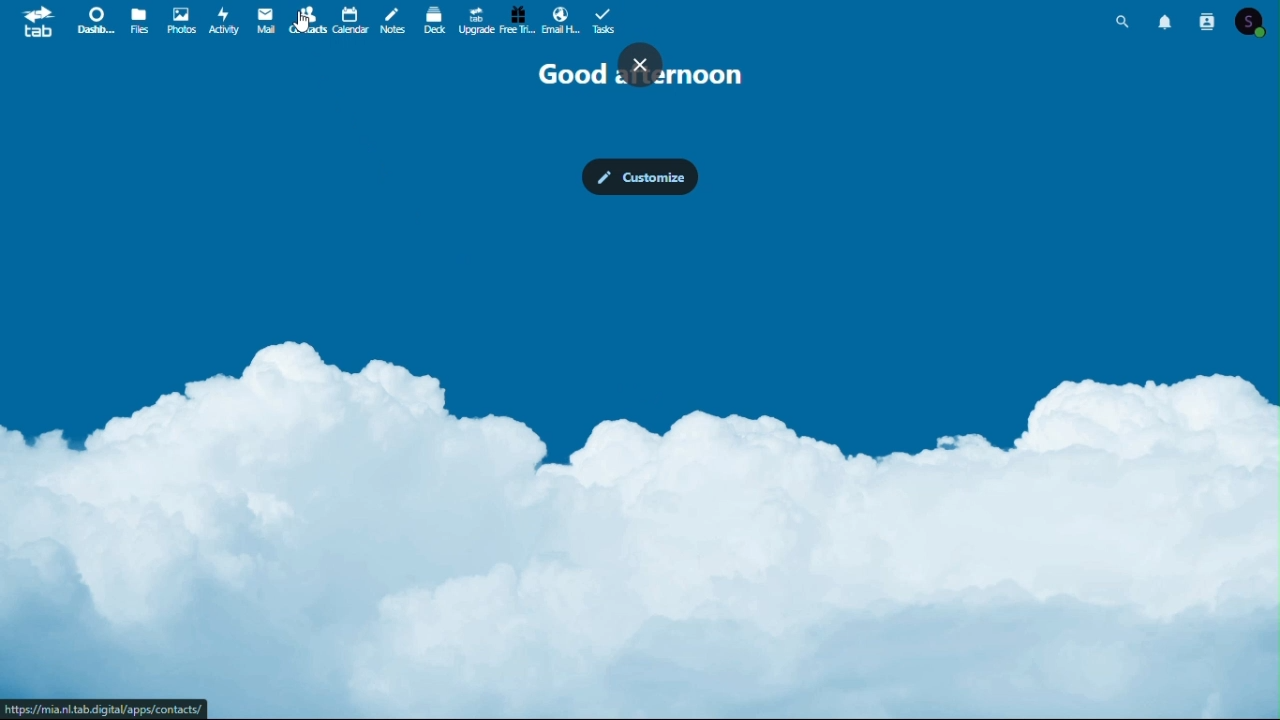  Describe the element at coordinates (1166, 24) in the screenshot. I see `Notification` at that location.